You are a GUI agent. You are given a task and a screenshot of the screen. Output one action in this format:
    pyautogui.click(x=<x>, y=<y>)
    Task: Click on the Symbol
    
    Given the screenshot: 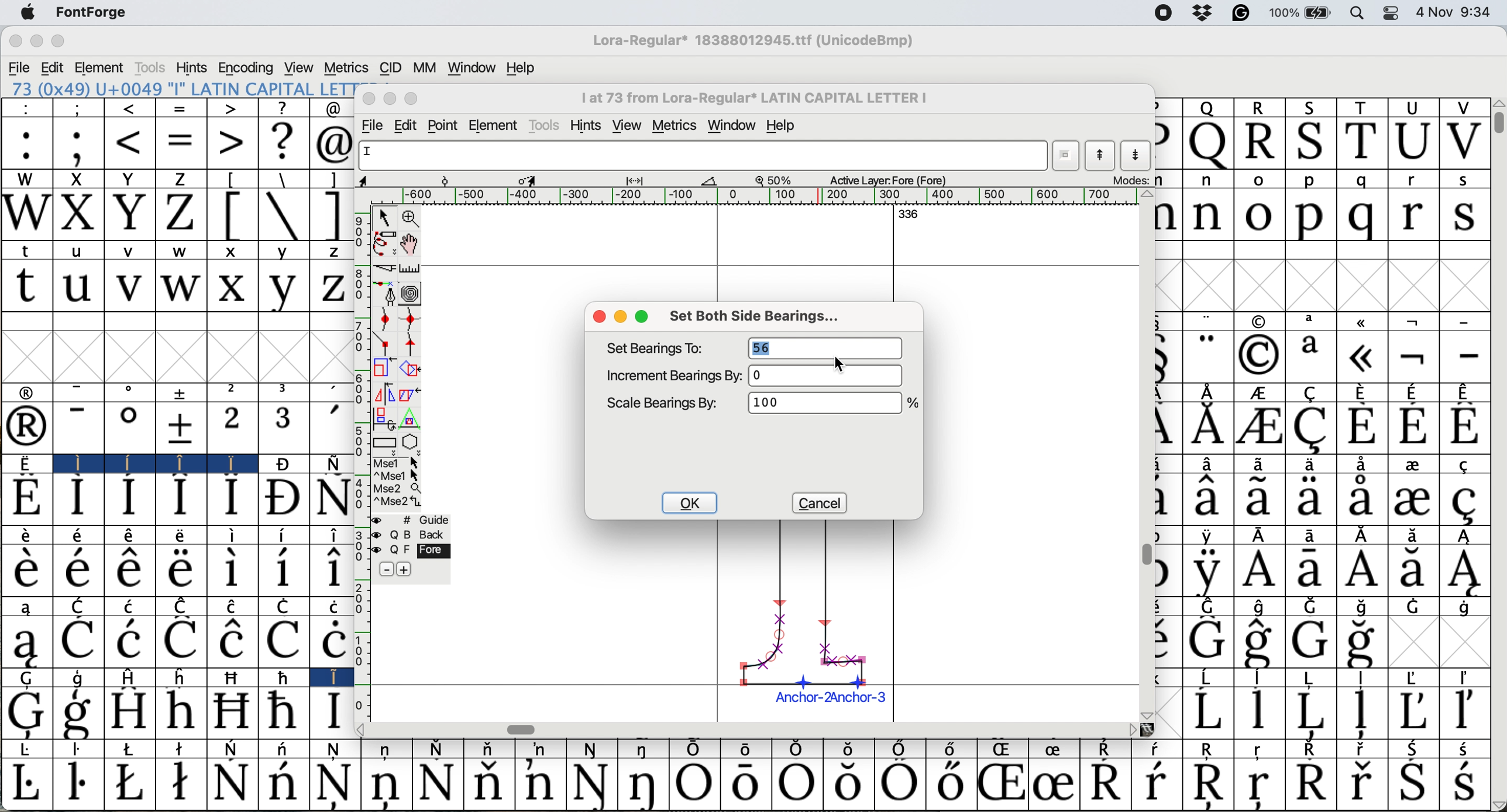 What is the action you would take?
    pyautogui.click(x=1210, y=676)
    